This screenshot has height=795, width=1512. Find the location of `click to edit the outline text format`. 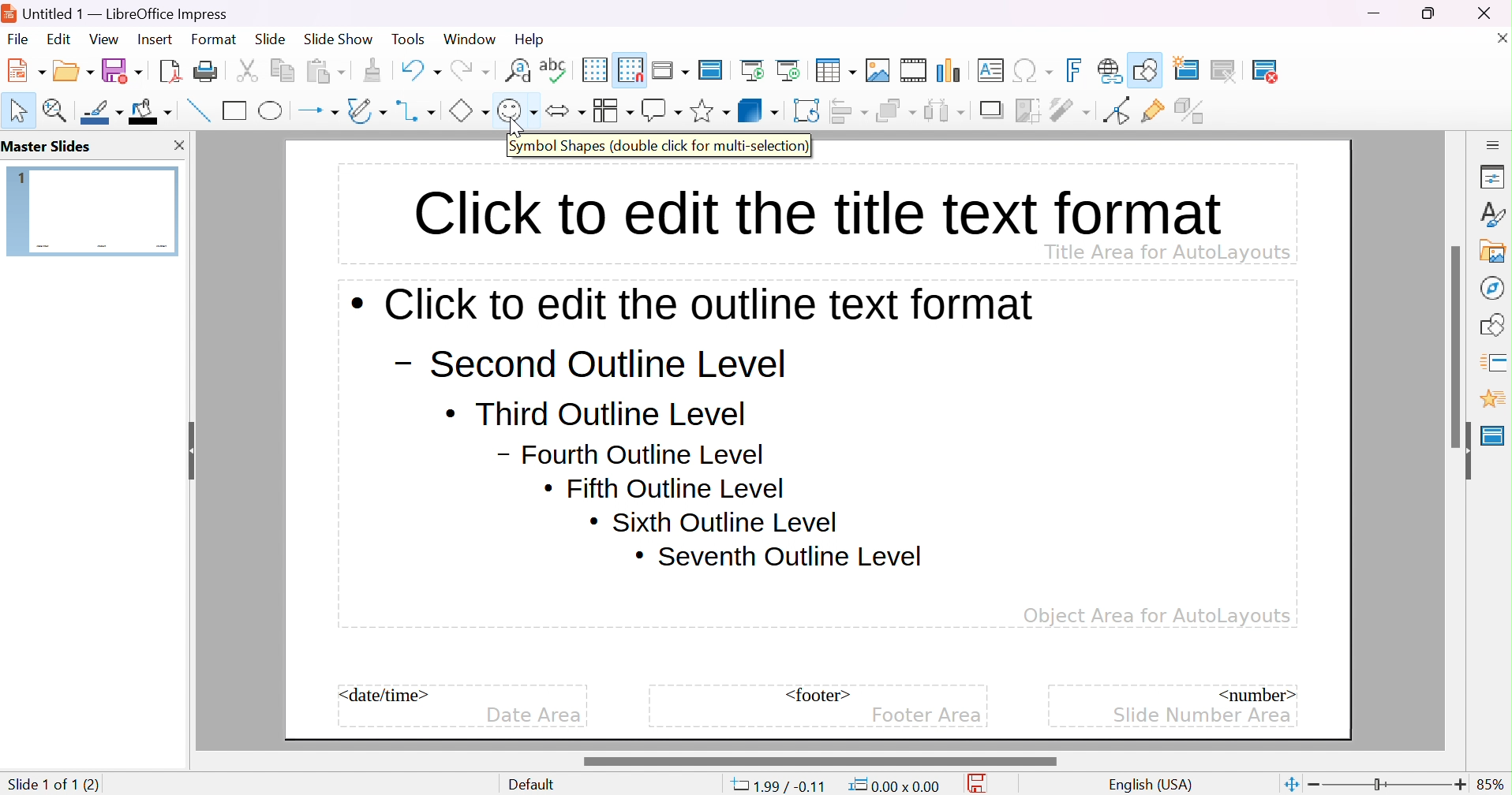

click to edit the outline text format is located at coordinates (694, 304).